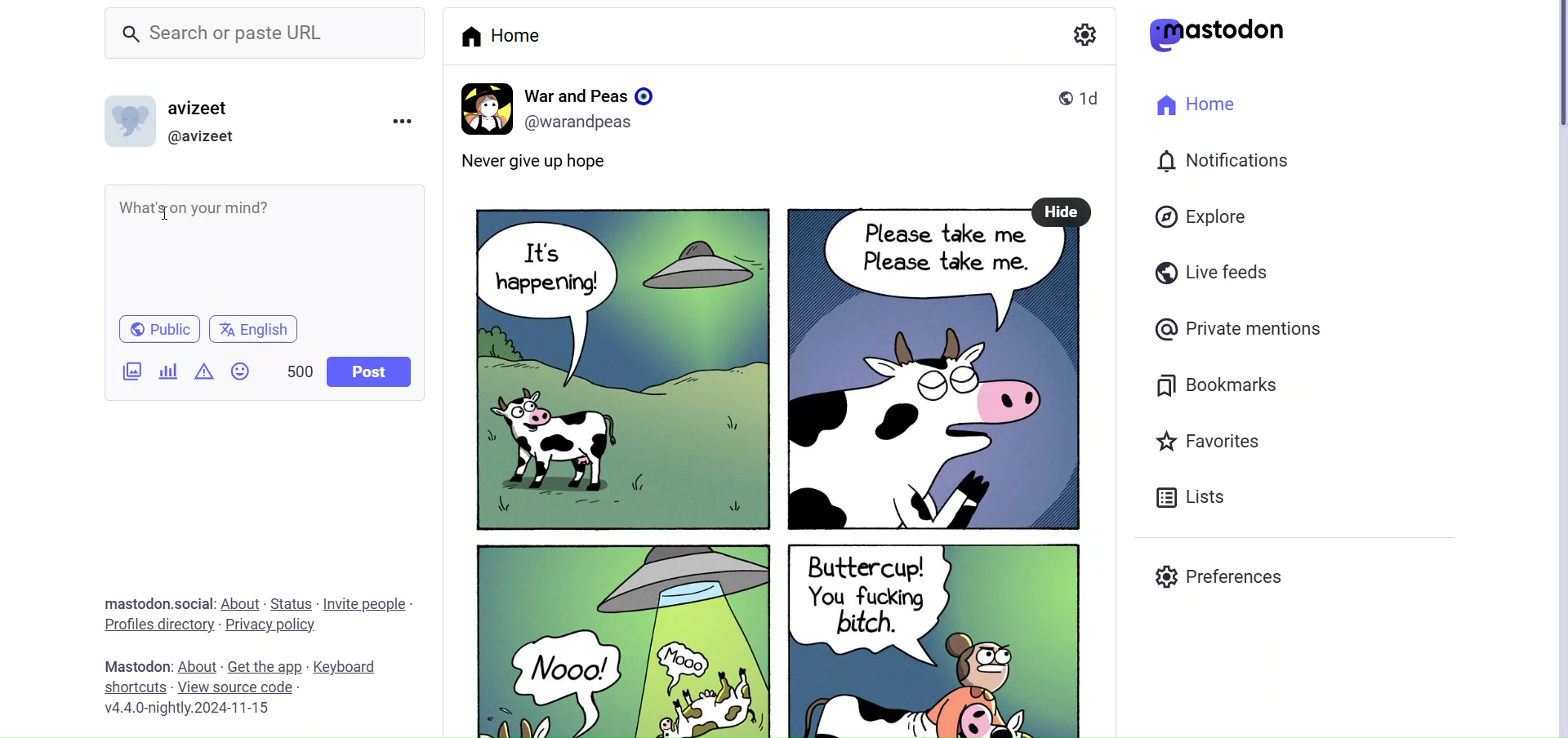 Image resolution: width=1568 pixels, height=738 pixels. I want to click on 500, so click(292, 367).